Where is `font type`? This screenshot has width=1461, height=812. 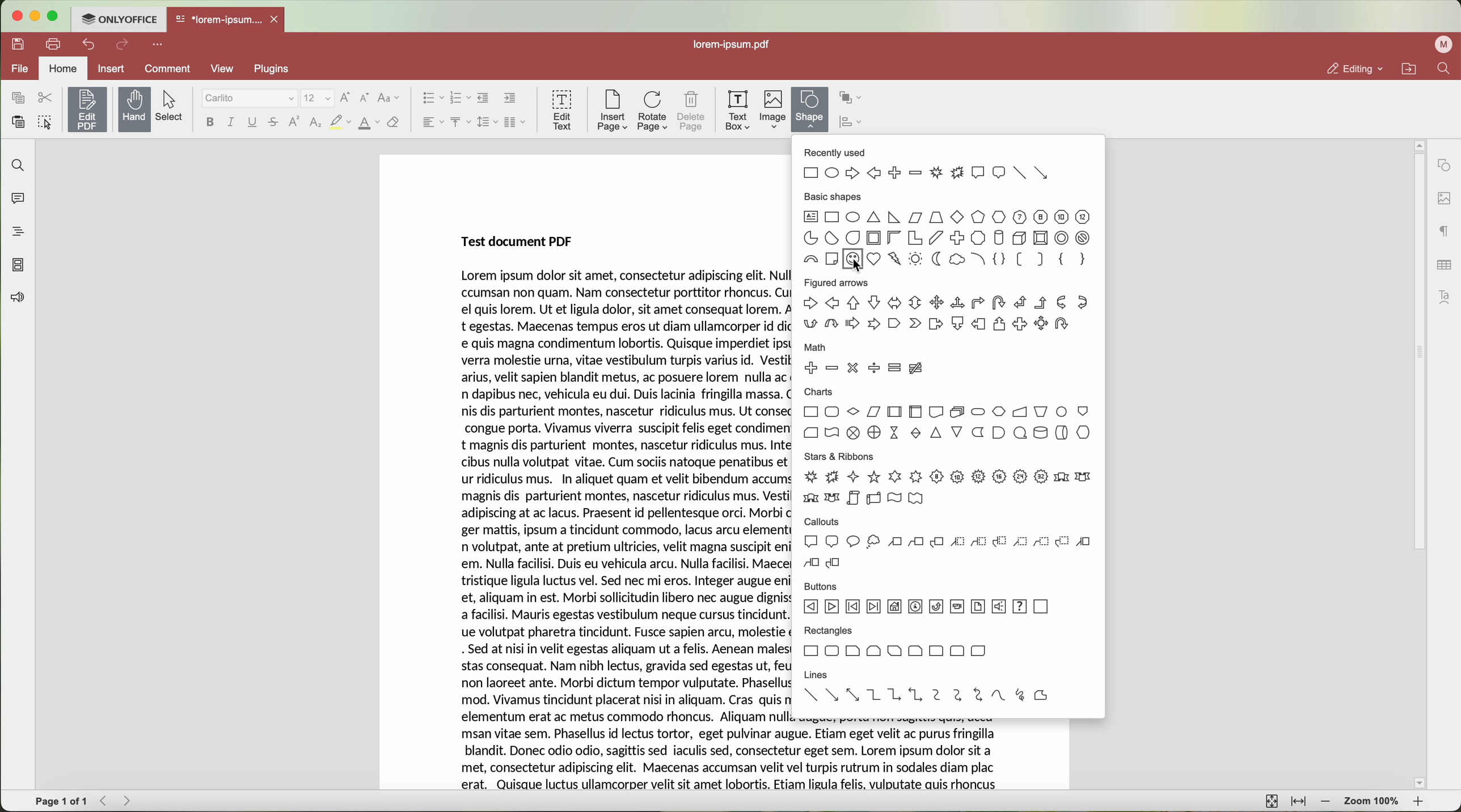
font type is located at coordinates (250, 99).